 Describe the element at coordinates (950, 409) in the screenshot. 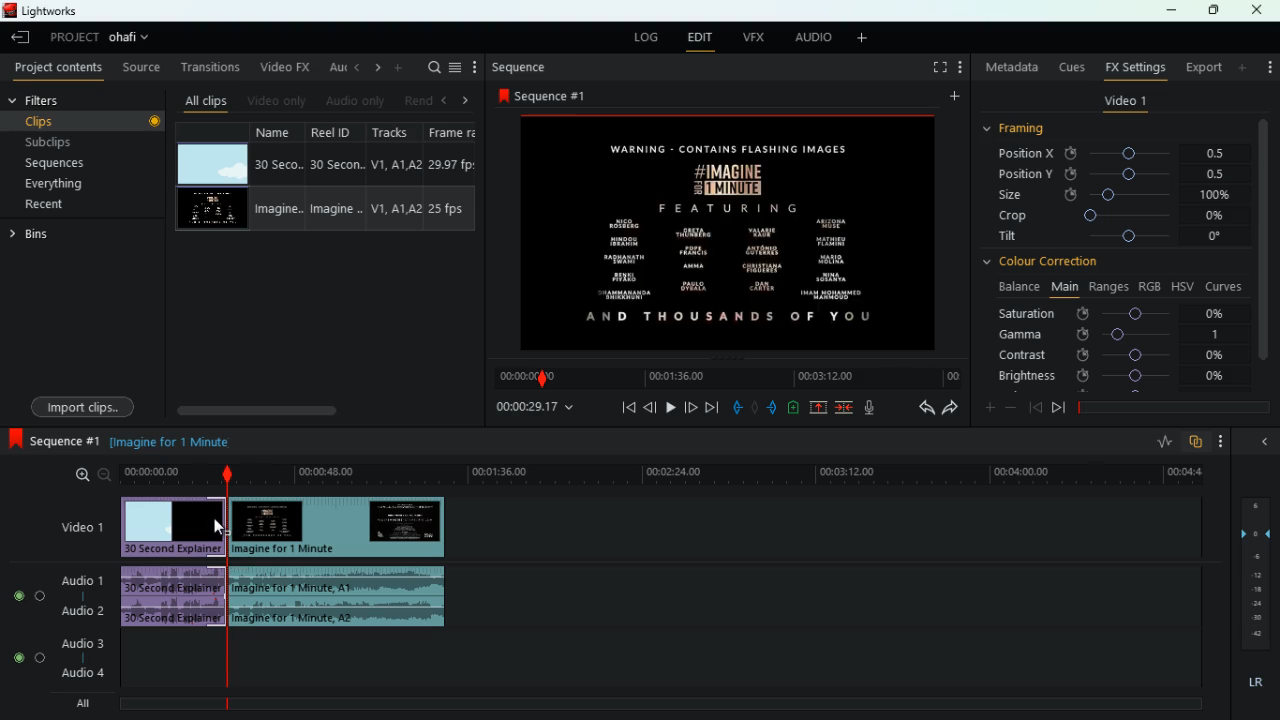

I see `forward` at that location.